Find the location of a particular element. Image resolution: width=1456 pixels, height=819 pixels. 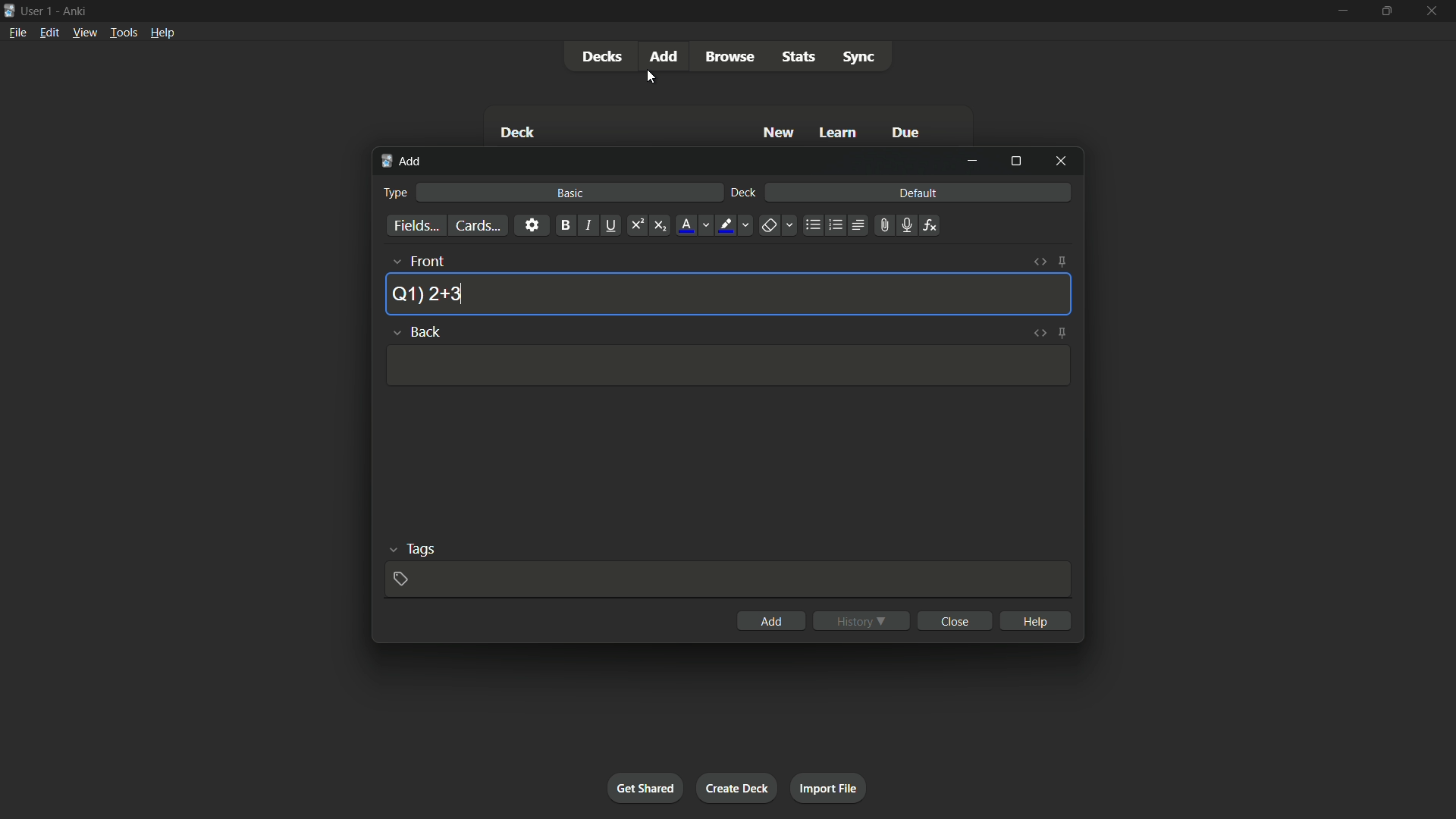

type is located at coordinates (394, 193).